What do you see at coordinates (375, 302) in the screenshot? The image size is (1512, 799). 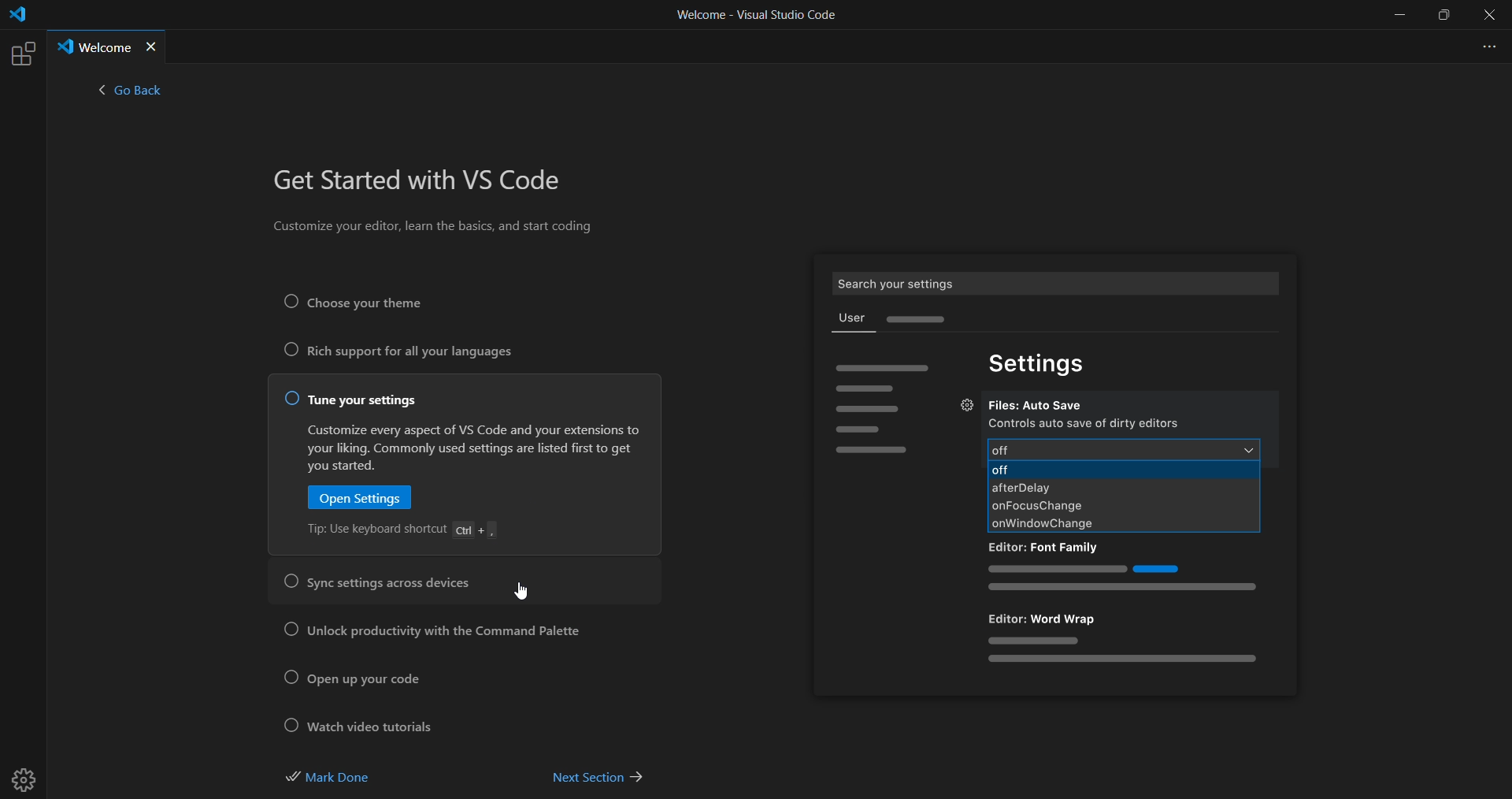 I see `Choose your theme` at bounding box center [375, 302].